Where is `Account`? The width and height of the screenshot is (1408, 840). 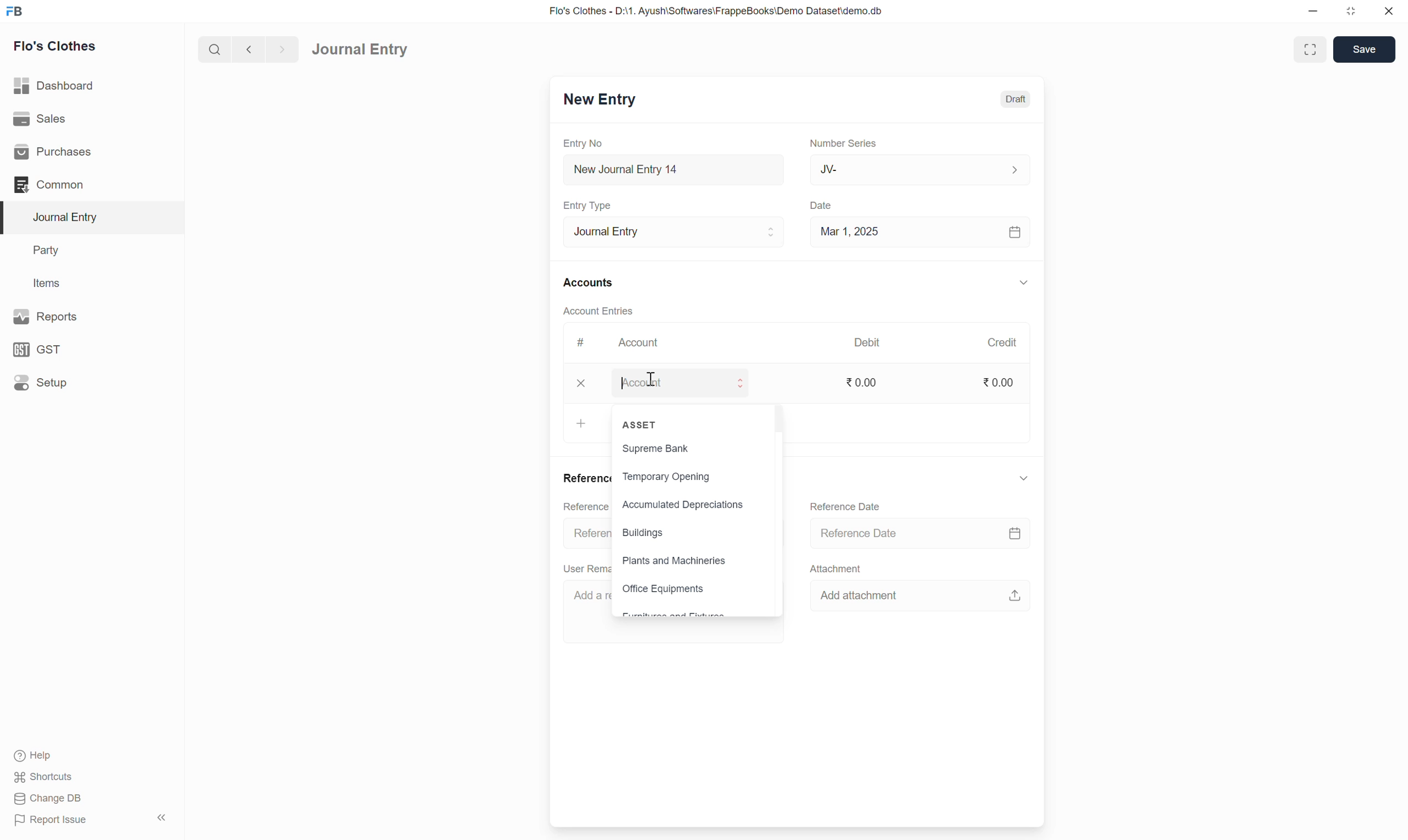 Account is located at coordinates (688, 383).